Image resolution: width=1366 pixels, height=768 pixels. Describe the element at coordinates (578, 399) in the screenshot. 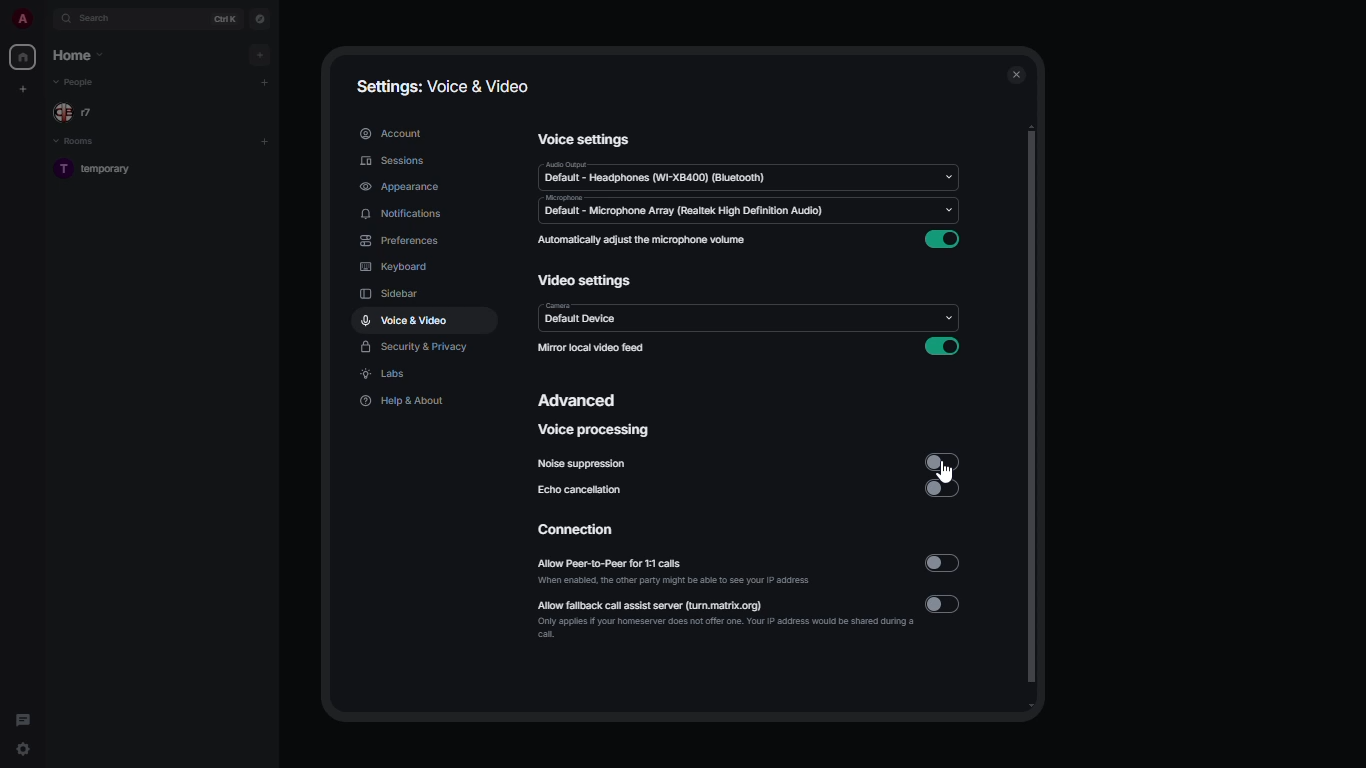

I see `advanced` at that location.